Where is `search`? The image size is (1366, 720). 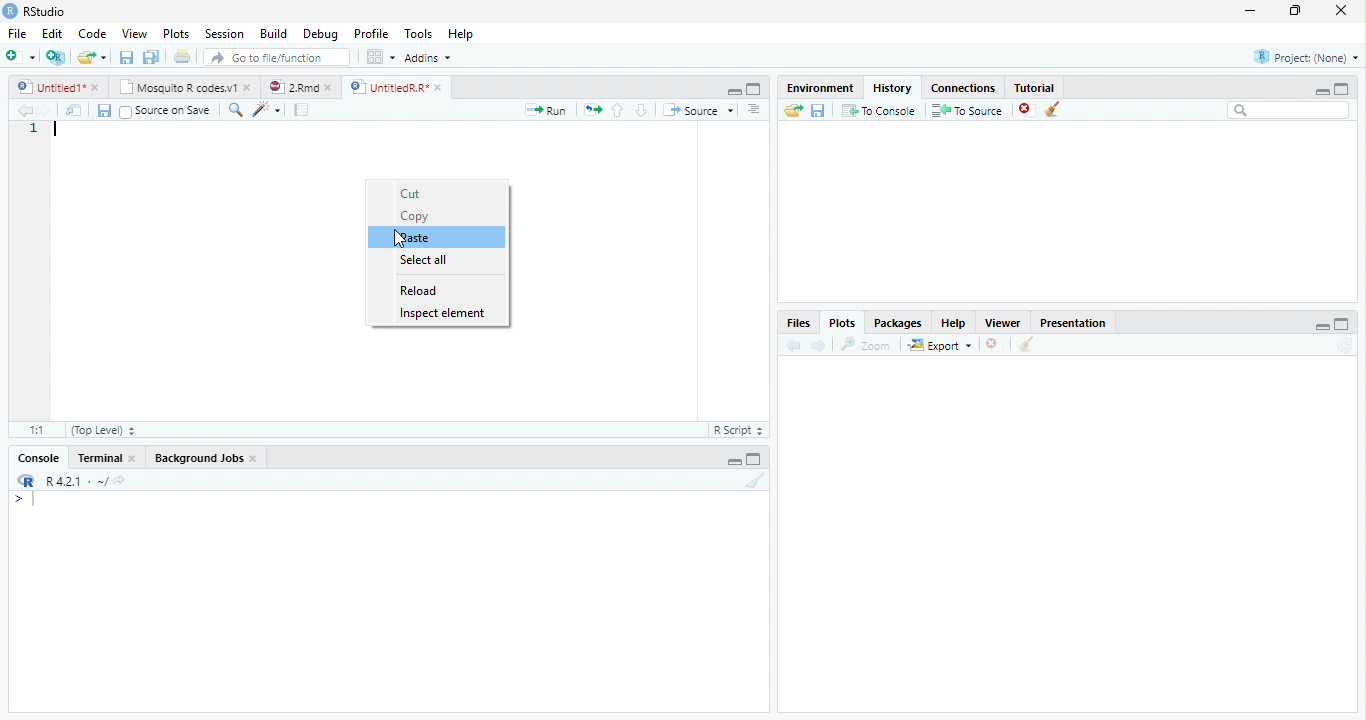
search is located at coordinates (232, 109).